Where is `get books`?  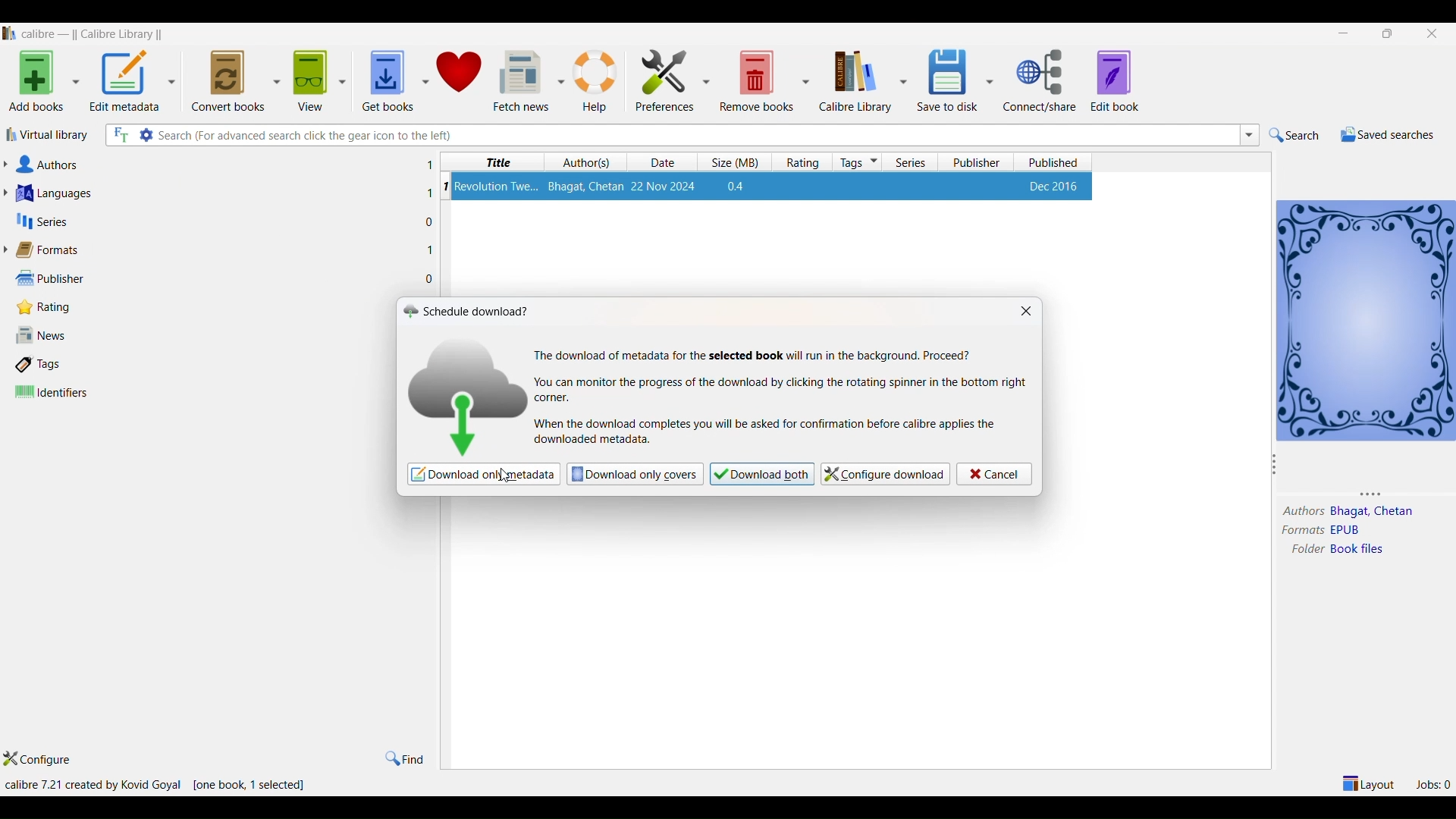 get books is located at coordinates (384, 77).